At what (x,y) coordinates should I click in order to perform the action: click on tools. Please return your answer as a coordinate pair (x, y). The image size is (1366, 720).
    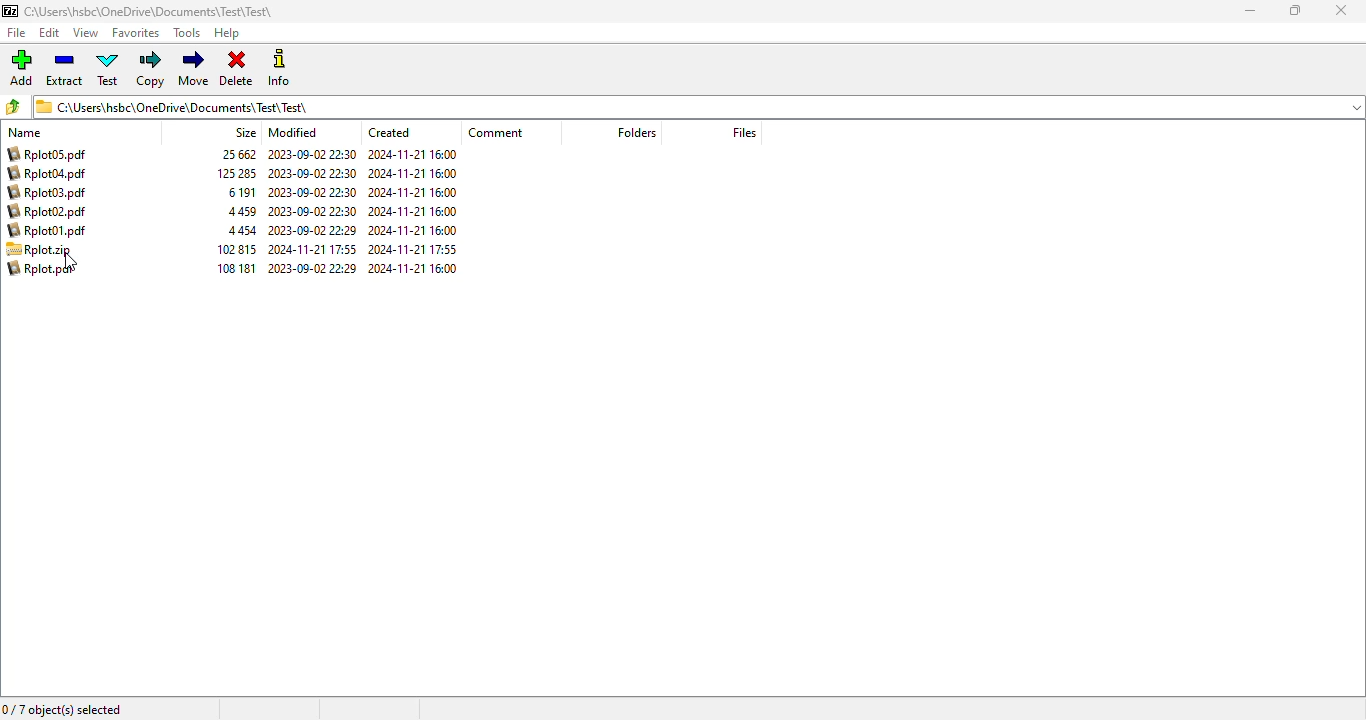
    Looking at the image, I should click on (186, 33).